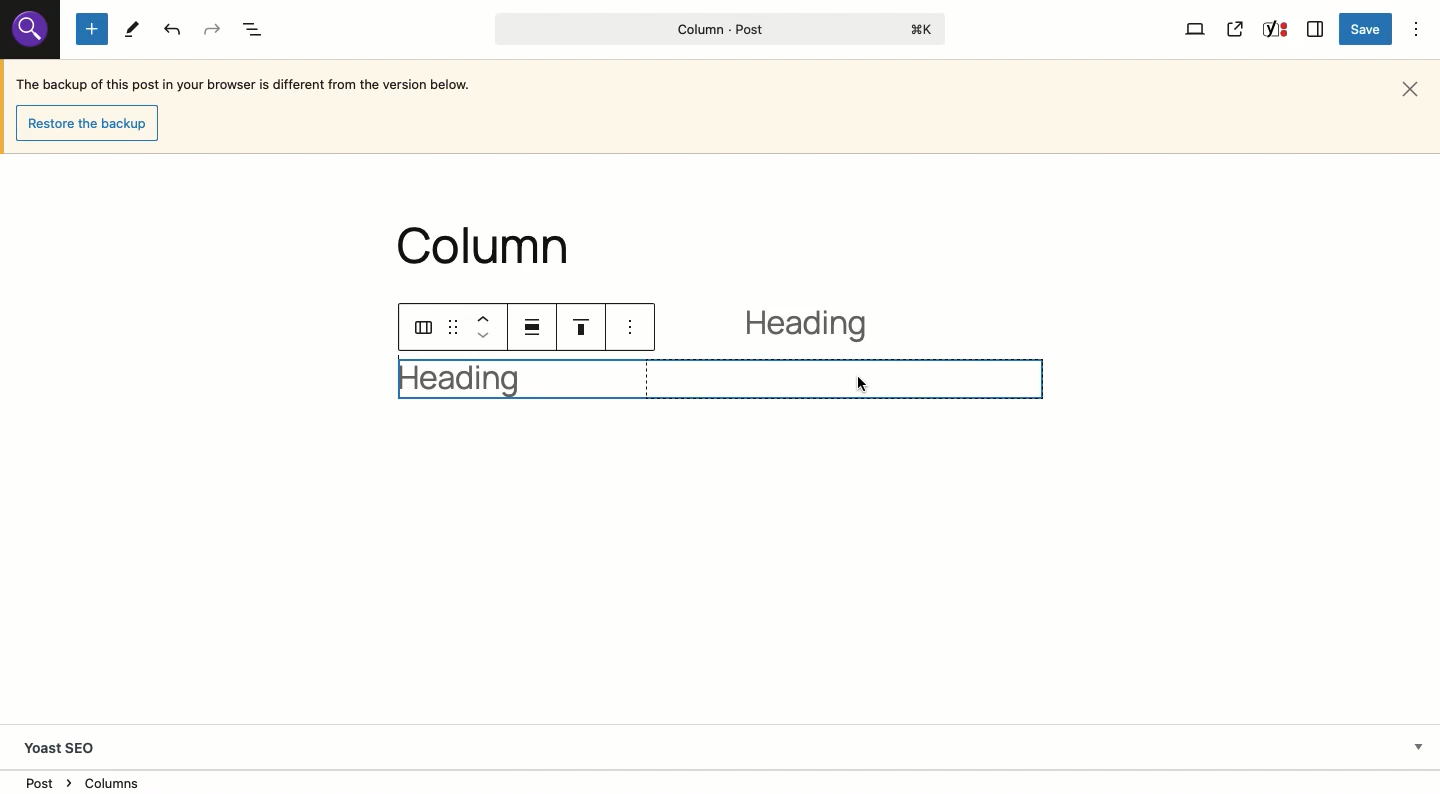 The image size is (1440, 794). Describe the element at coordinates (538, 328) in the screenshot. I see `Align` at that location.